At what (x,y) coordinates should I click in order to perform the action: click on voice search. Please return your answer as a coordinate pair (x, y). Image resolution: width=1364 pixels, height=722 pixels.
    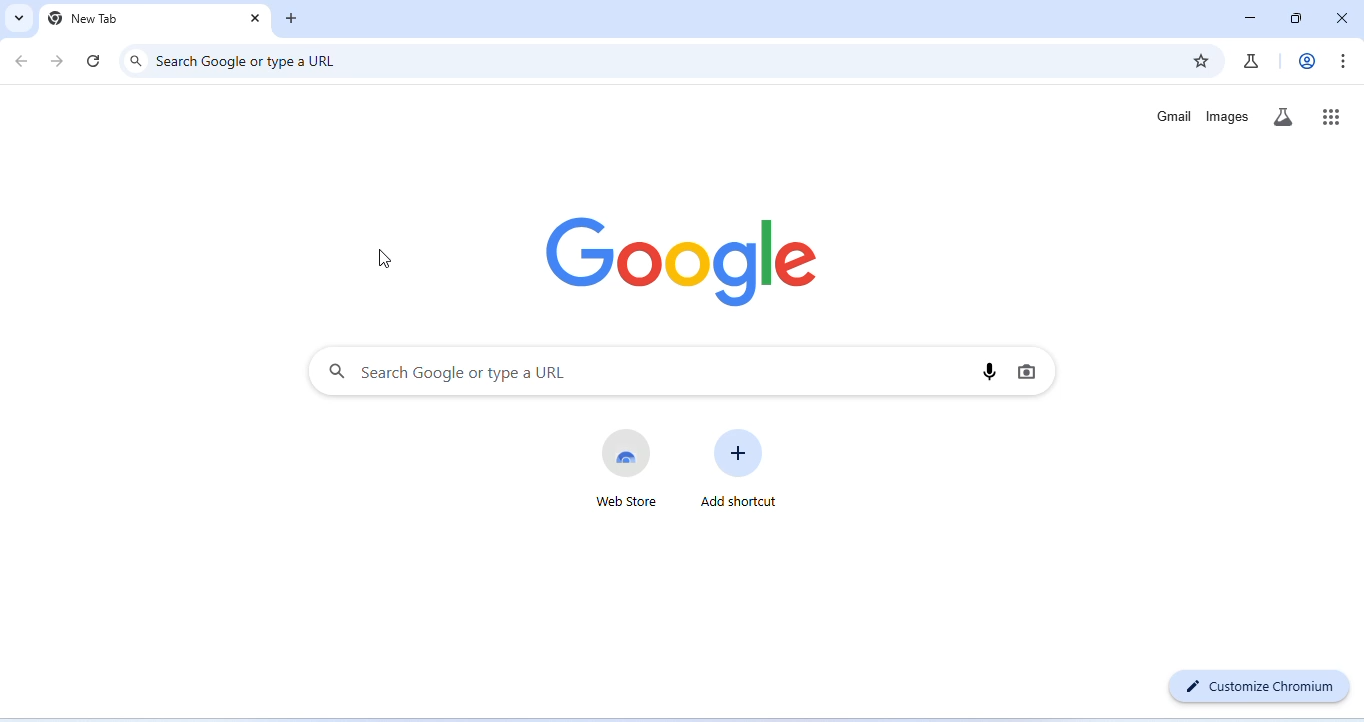
    Looking at the image, I should click on (991, 370).